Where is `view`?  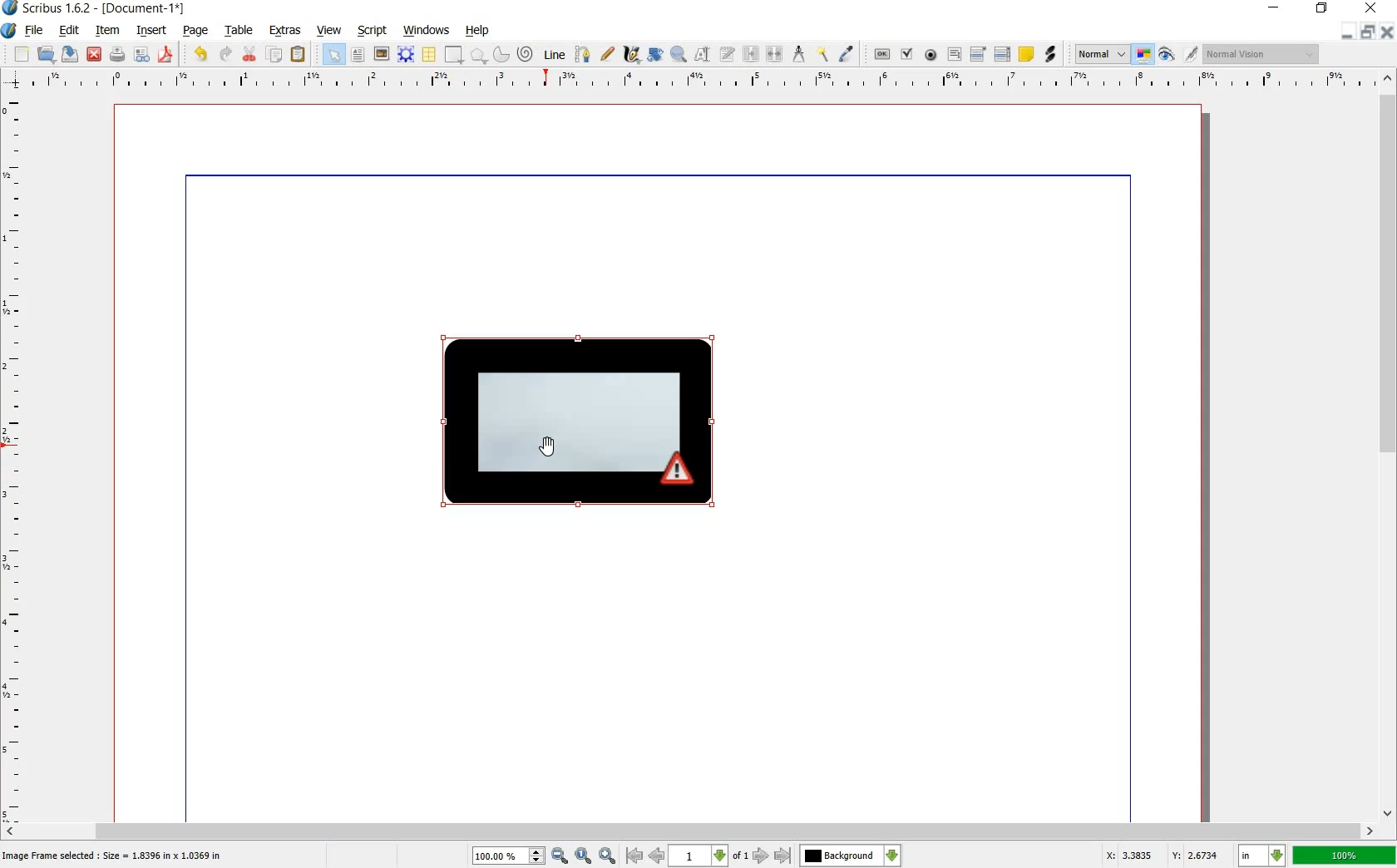 view is located at coordinates (329, 32).